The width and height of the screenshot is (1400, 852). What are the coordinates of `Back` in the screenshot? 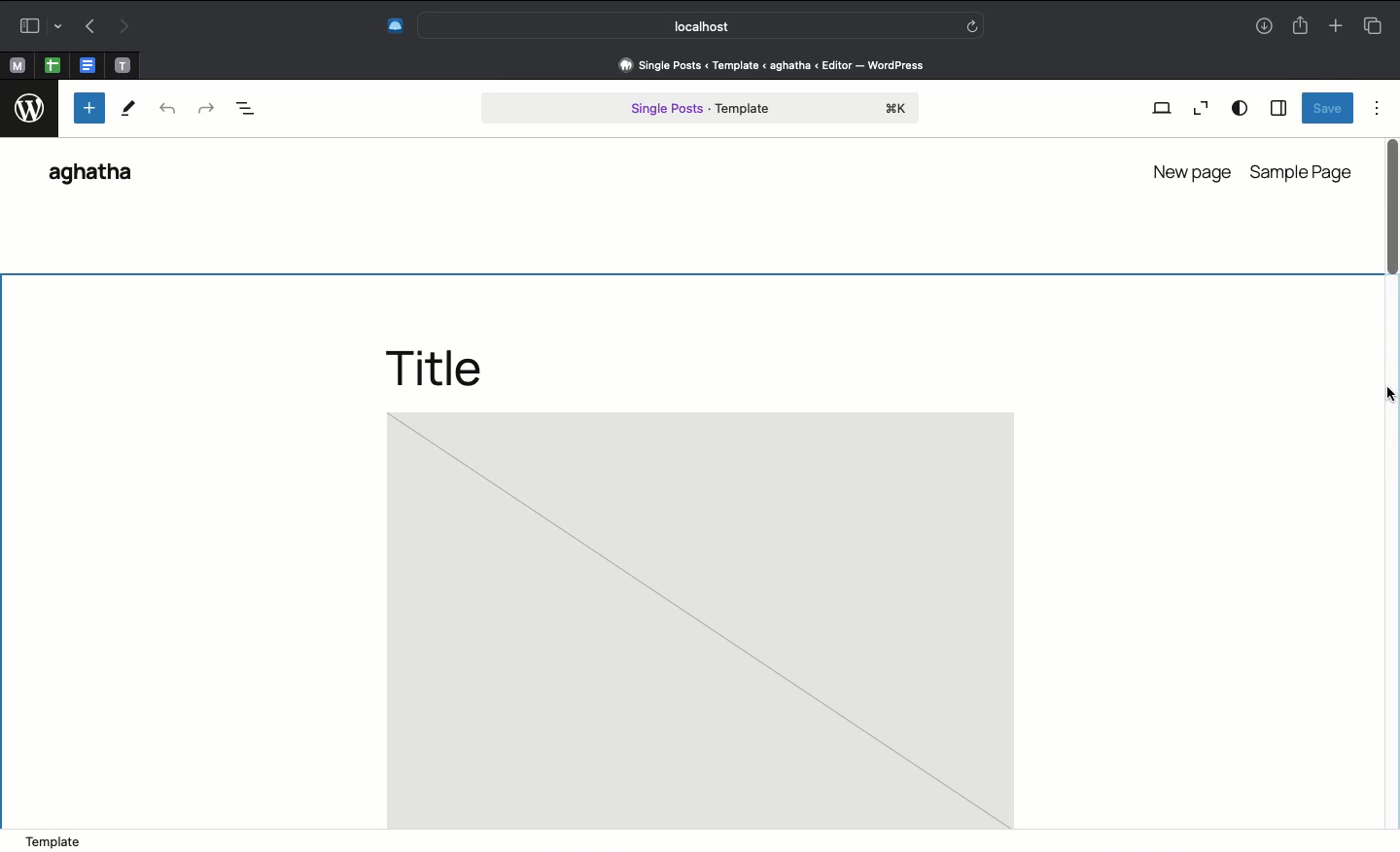 It's located at (89, 27).